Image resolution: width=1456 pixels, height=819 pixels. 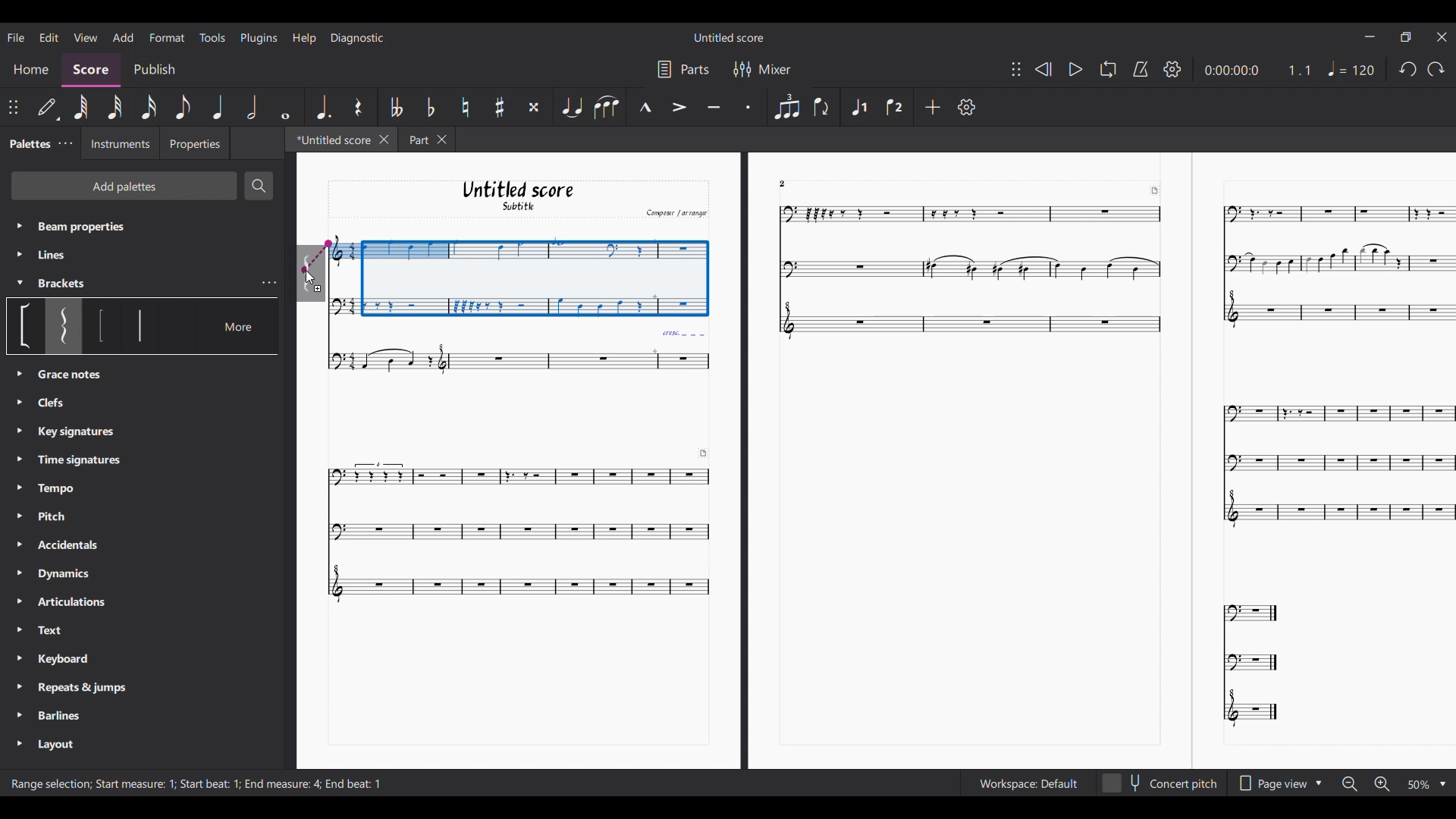 What do you see at coordinates (1337, 511) in the screenshot?
I see `` at bounding box center [1337, 511].